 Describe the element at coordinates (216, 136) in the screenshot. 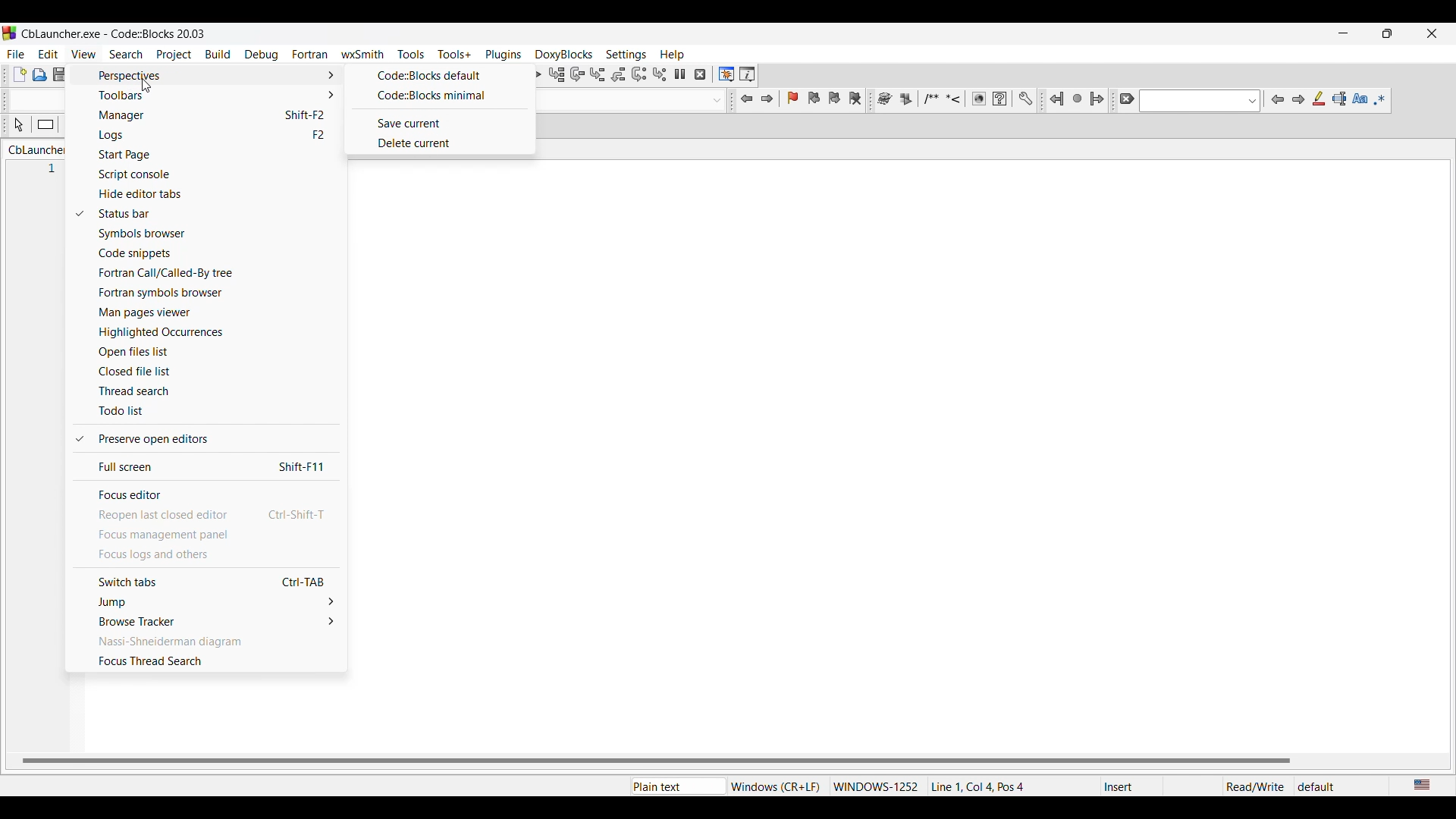

I see `Logs` at that location.